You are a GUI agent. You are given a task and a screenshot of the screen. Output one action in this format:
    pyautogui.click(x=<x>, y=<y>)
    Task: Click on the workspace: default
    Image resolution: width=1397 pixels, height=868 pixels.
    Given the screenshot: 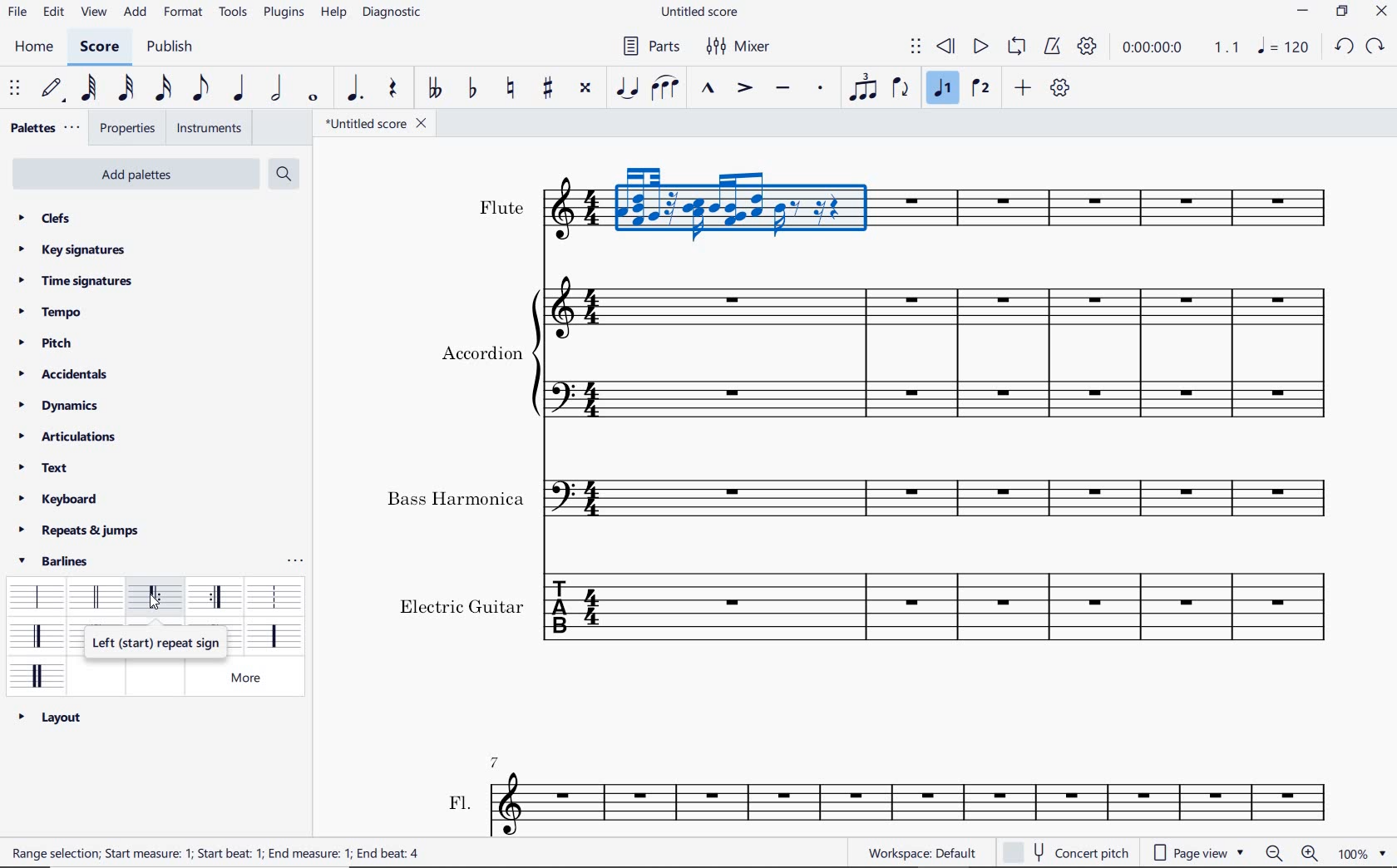 What is the action you would take?
    pyautogui.click(x=919, y=852)
    